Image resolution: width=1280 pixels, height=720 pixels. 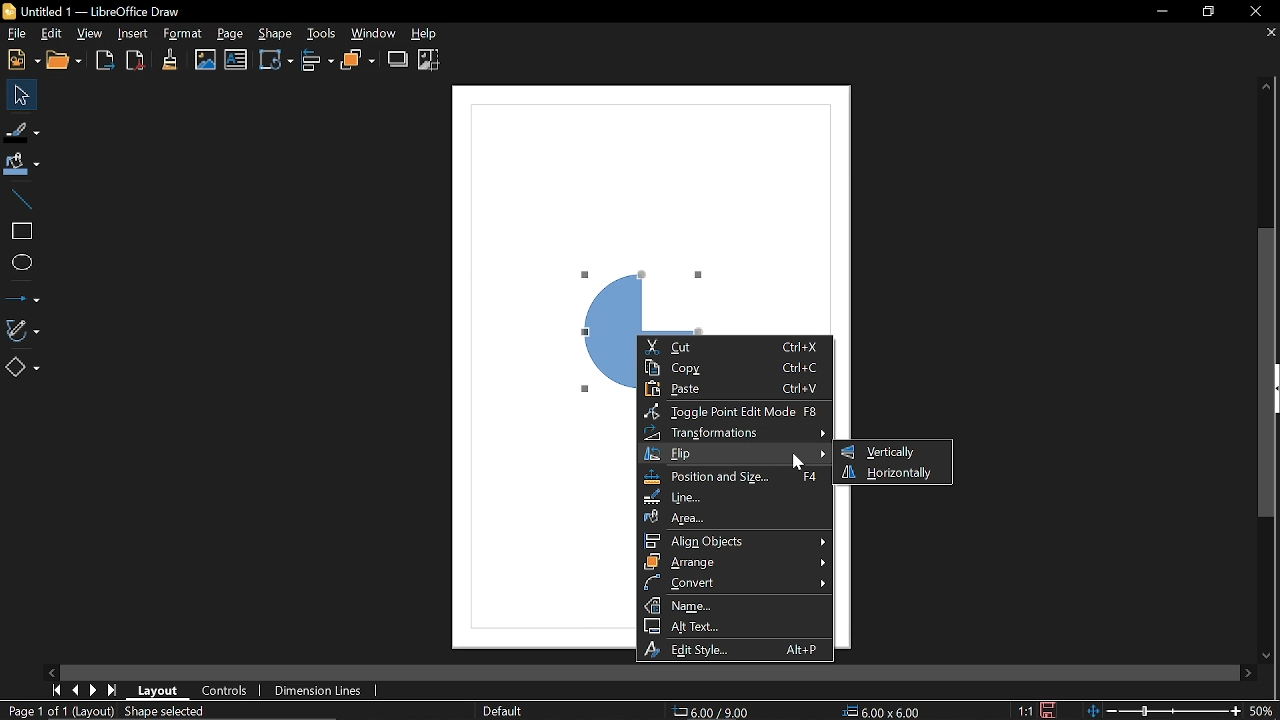 I want to click on Transformation, so click(x=733, y=433).